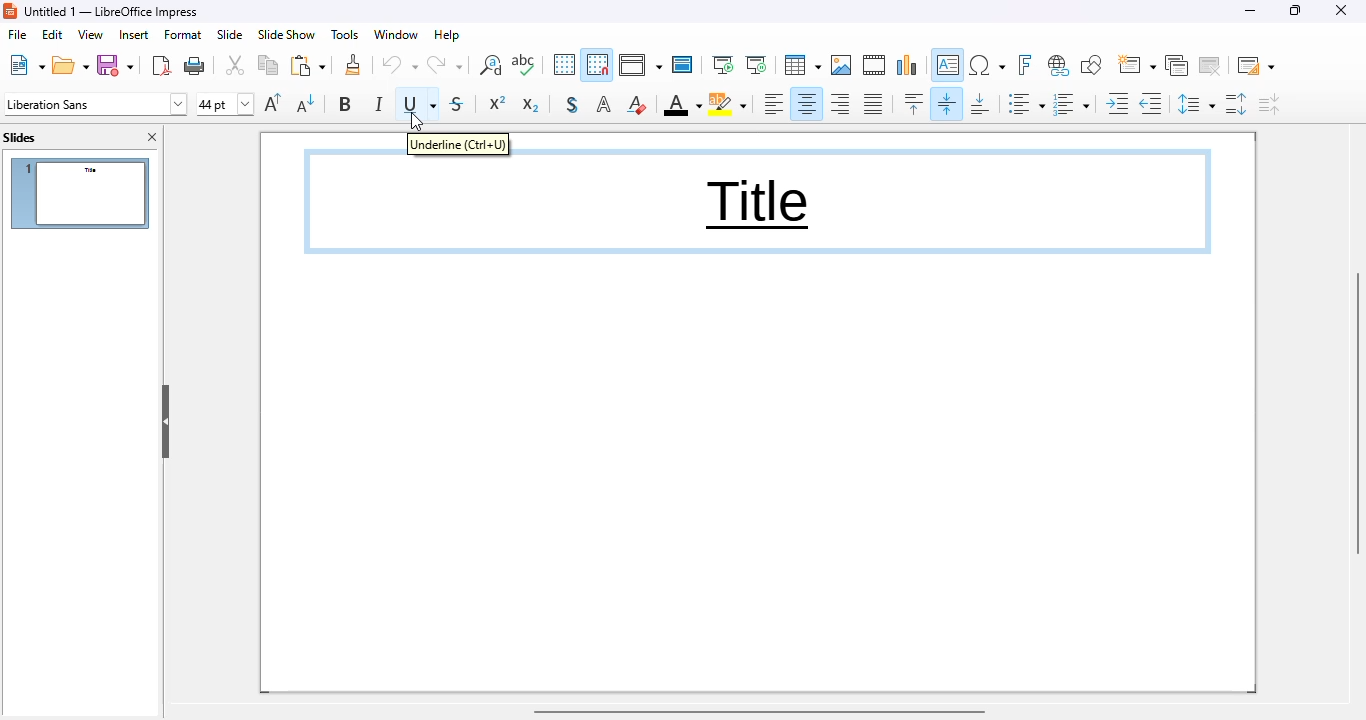  What do you see at coordinates (756, 65) in the screenshot?
I see `start from current slide` at bounding box center [756, 65].